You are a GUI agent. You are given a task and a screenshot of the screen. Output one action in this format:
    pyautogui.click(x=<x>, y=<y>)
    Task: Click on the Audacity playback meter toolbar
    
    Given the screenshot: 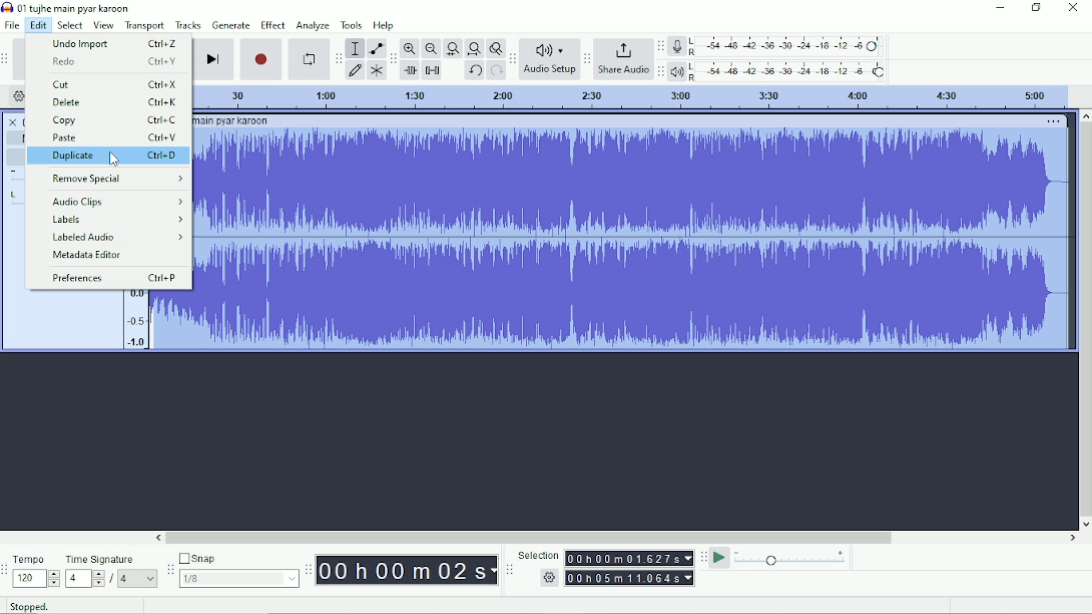 What is the action you would take?
    pyautogui.click(x=660, y=73)
    